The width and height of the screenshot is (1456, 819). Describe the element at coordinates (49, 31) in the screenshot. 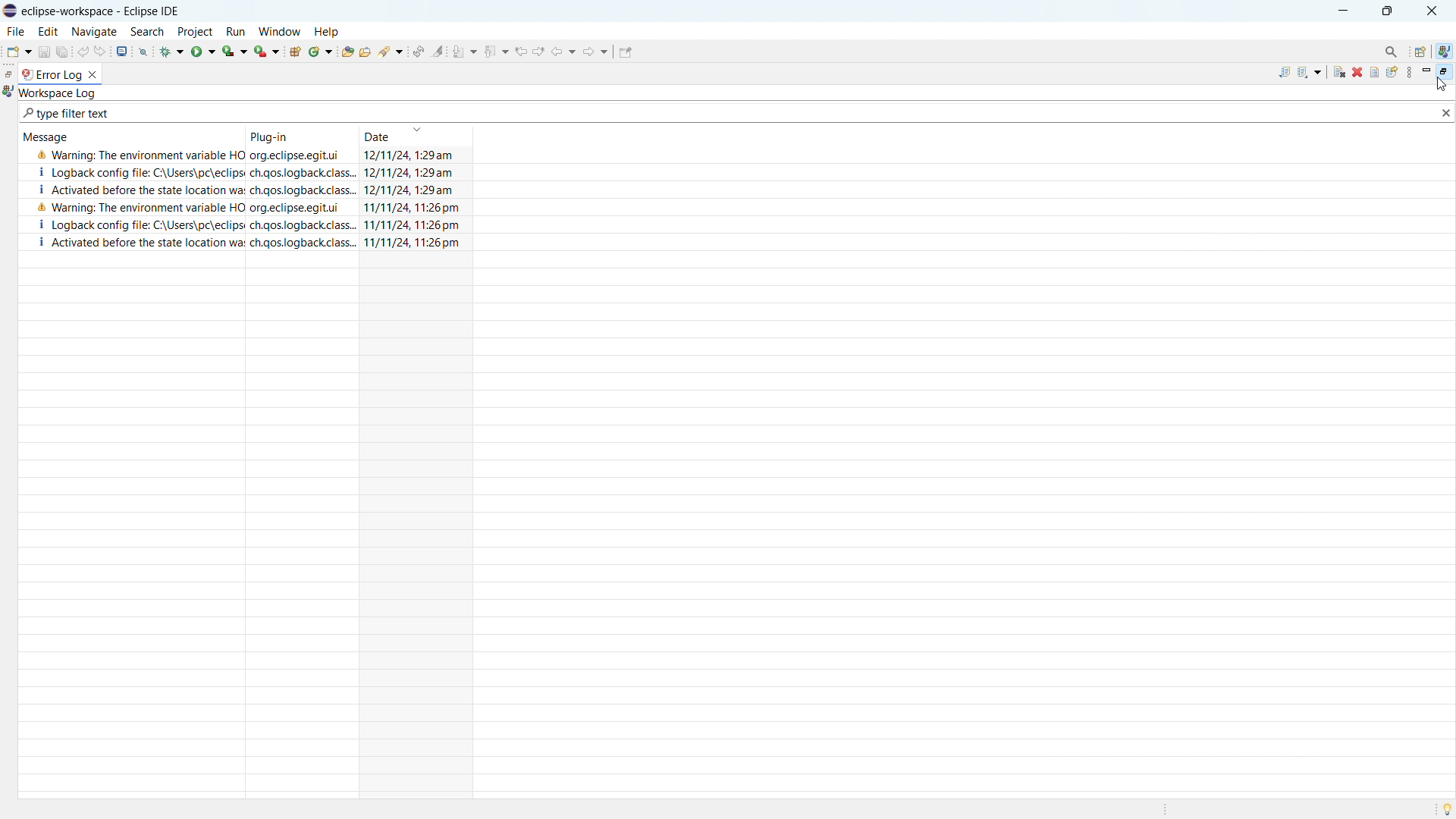

I see `edit` at that location.